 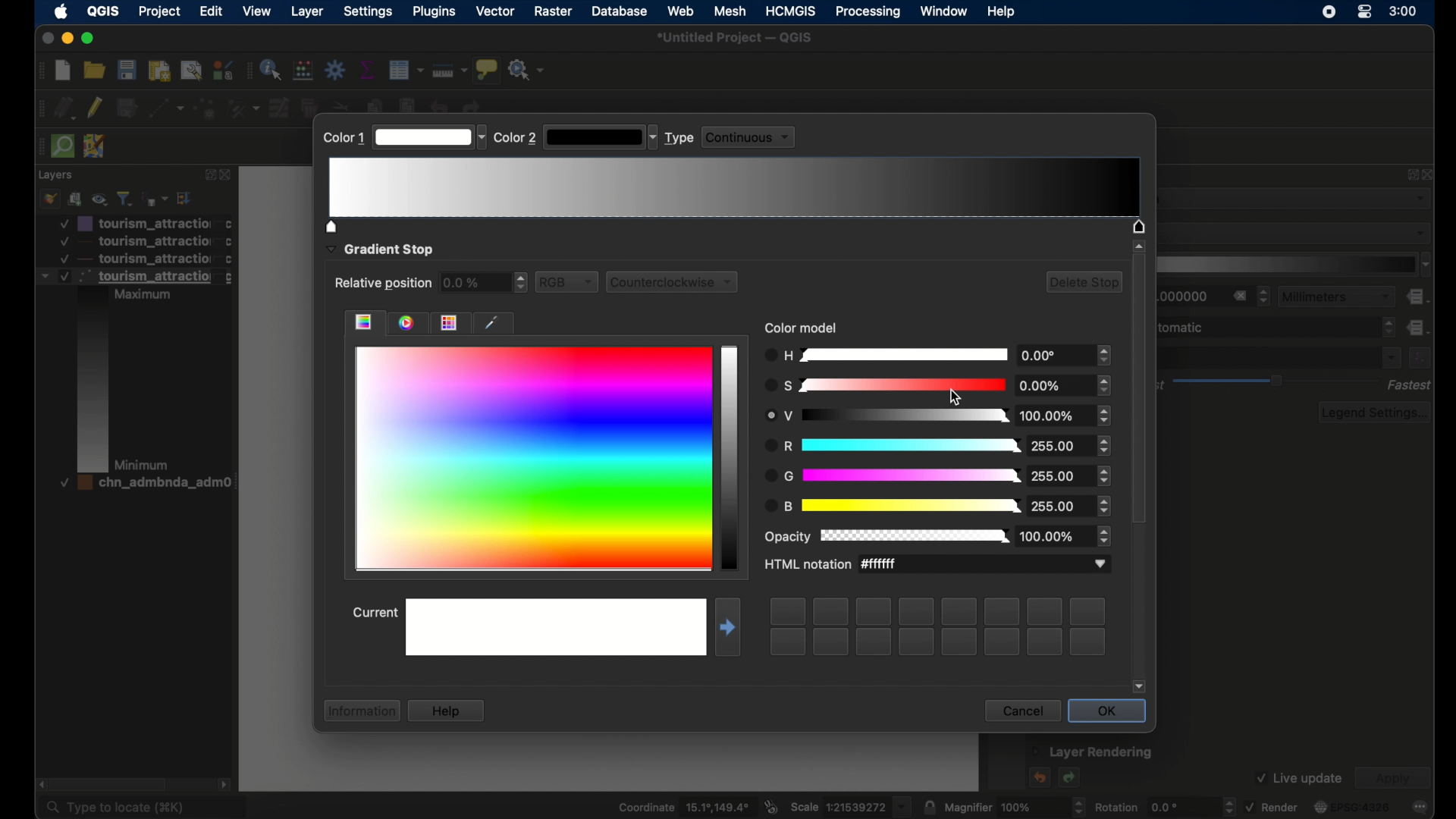 I want to click on data defined override, so click(x=1419, y=297).